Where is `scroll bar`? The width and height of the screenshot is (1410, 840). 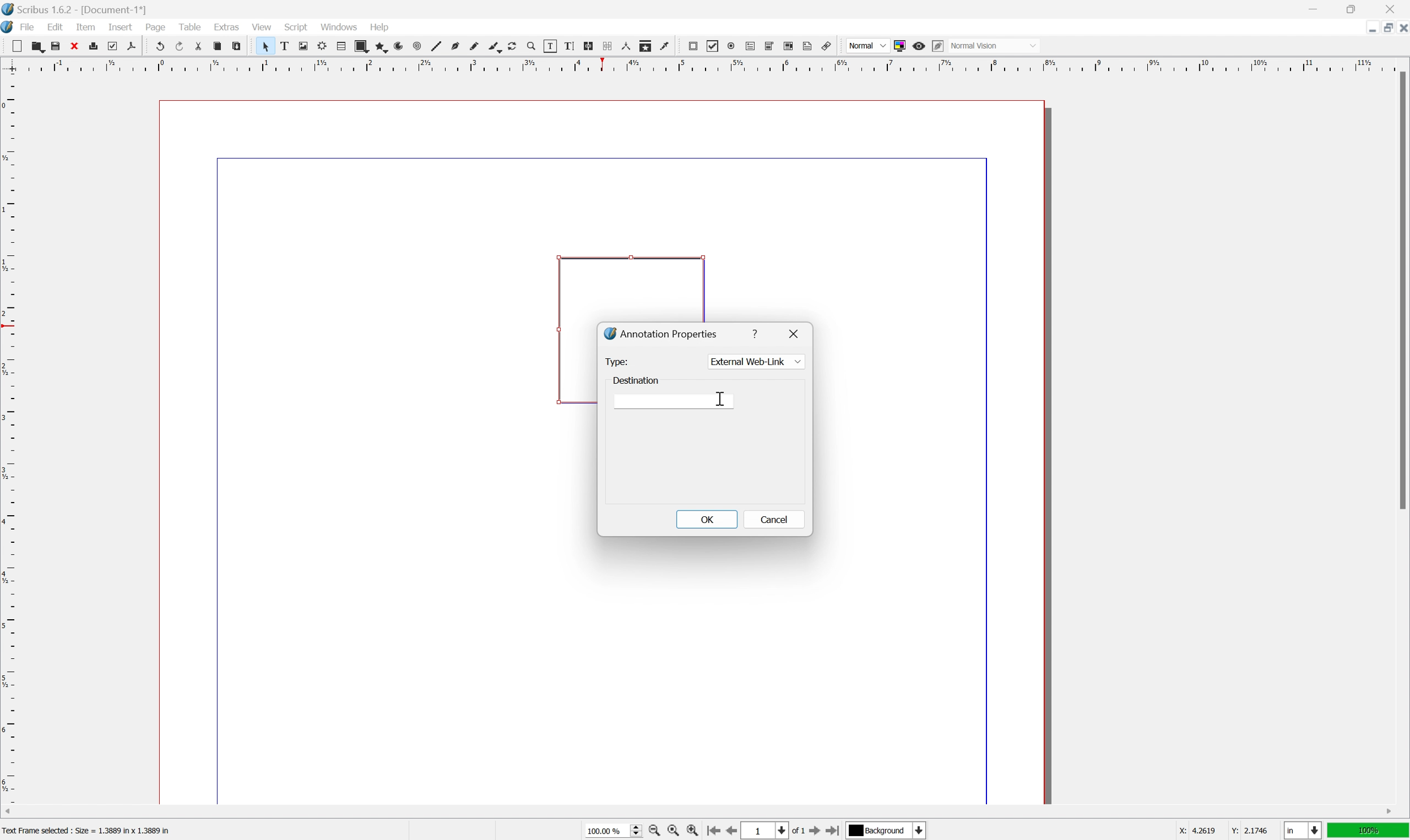 scroll bar is located at coordinates (1401, 290).